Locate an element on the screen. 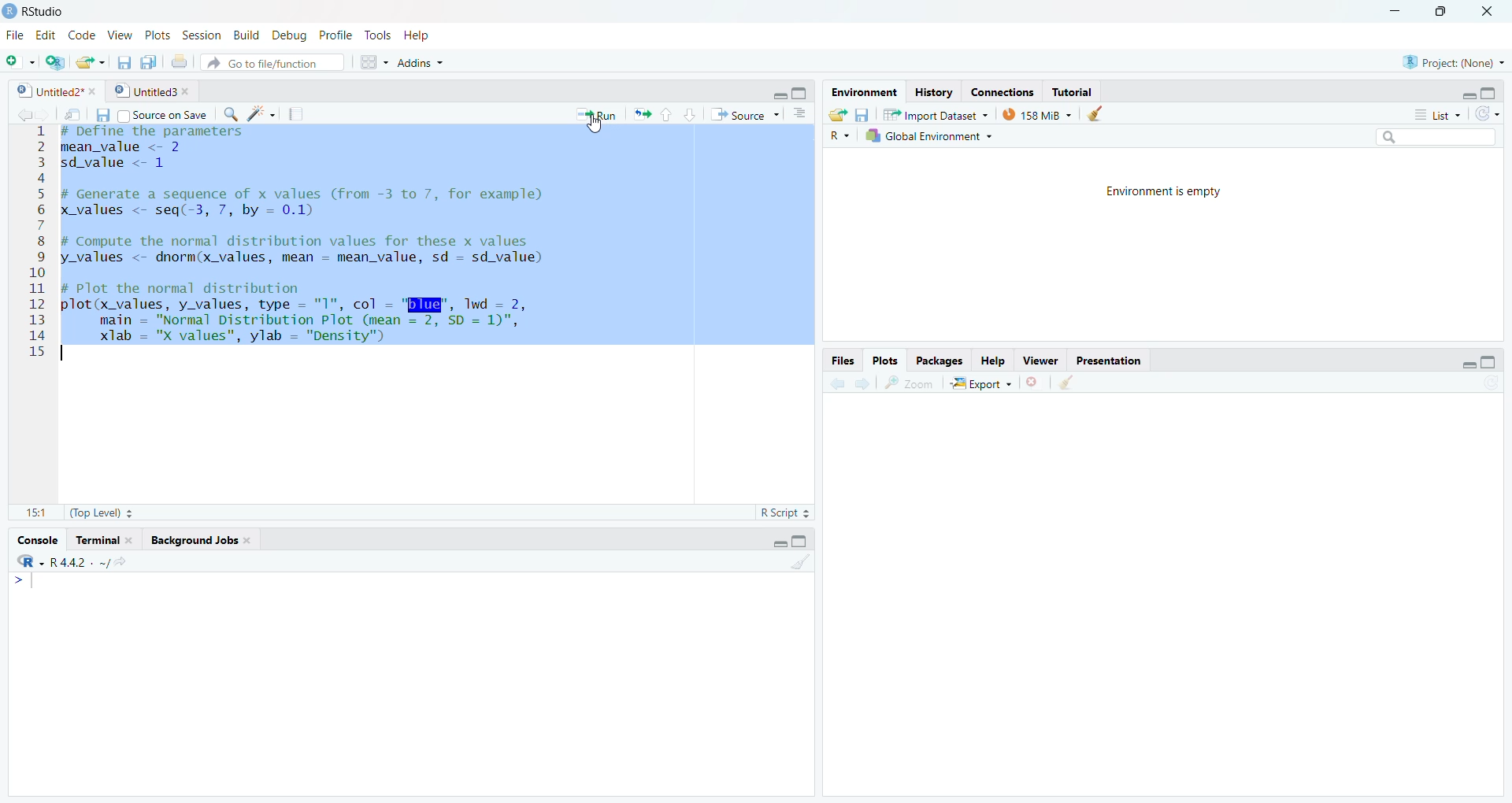 This screenshot has width=1512, height=803. History is located at coordinates (932, 91).